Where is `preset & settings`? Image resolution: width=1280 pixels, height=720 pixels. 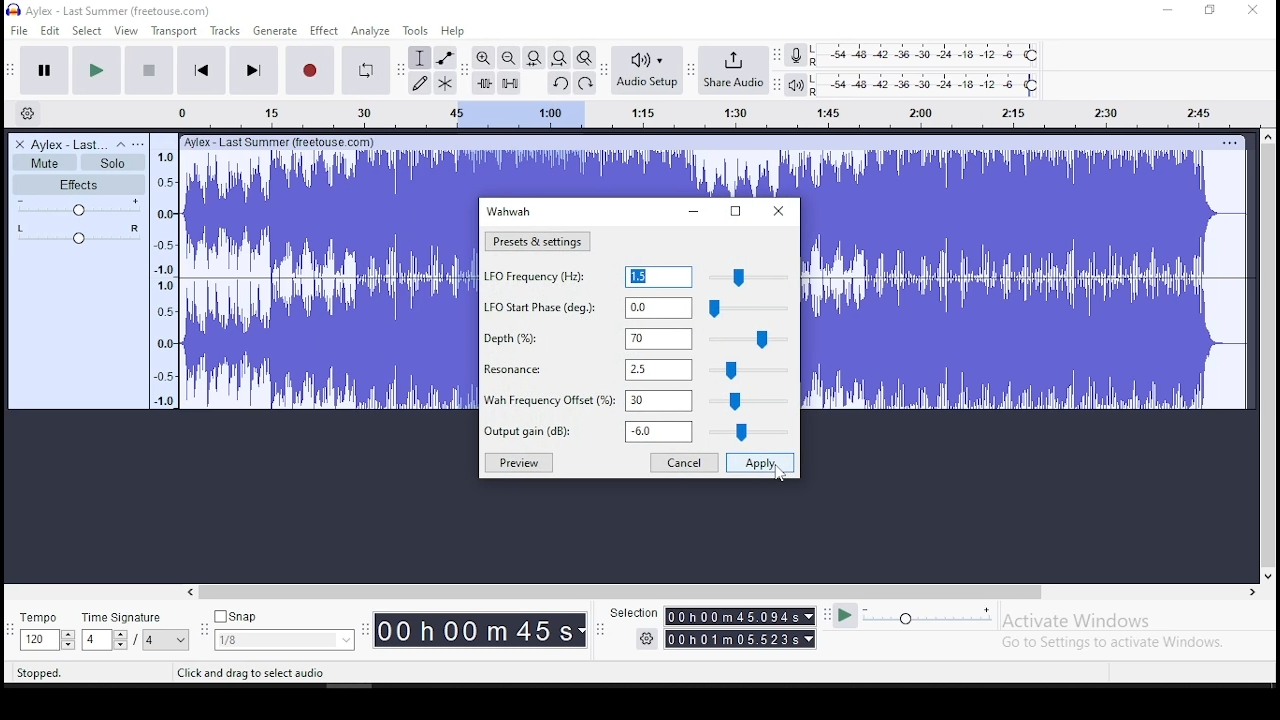 preset & settings is located at coordinates (538, 241).